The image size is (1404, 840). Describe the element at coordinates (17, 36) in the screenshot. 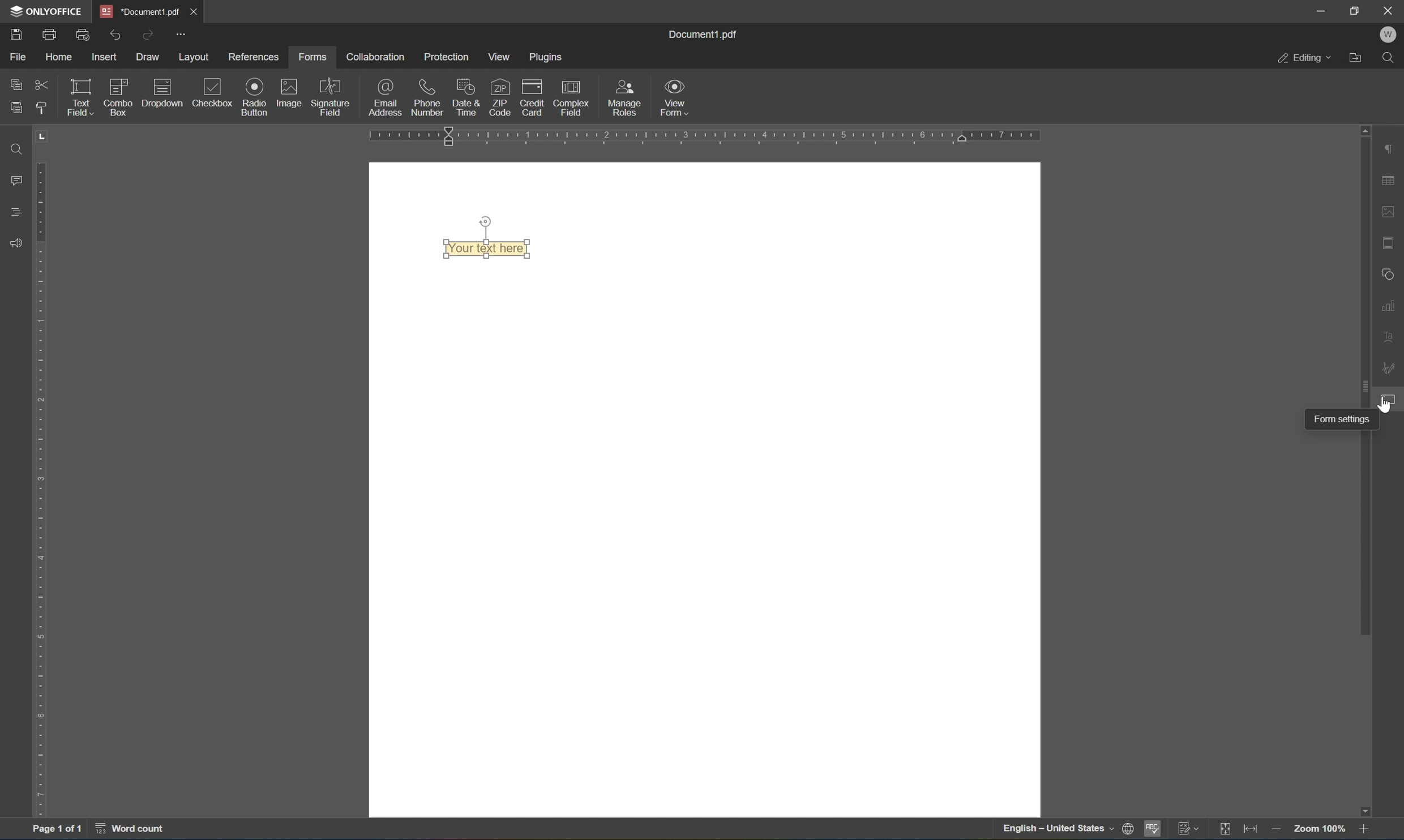

I see `save` at that location.